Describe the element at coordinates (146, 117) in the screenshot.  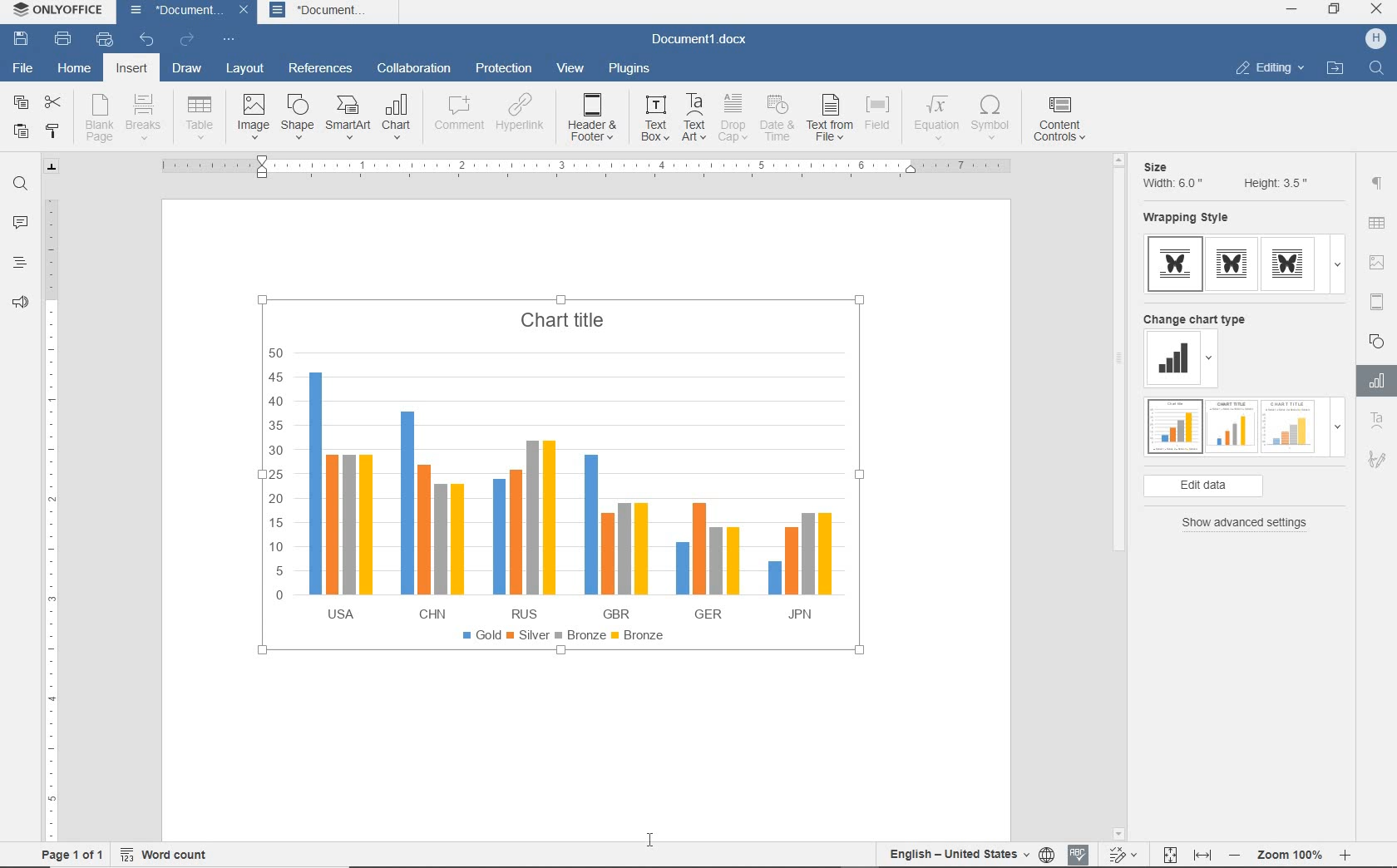
I see `breaks` at that location.